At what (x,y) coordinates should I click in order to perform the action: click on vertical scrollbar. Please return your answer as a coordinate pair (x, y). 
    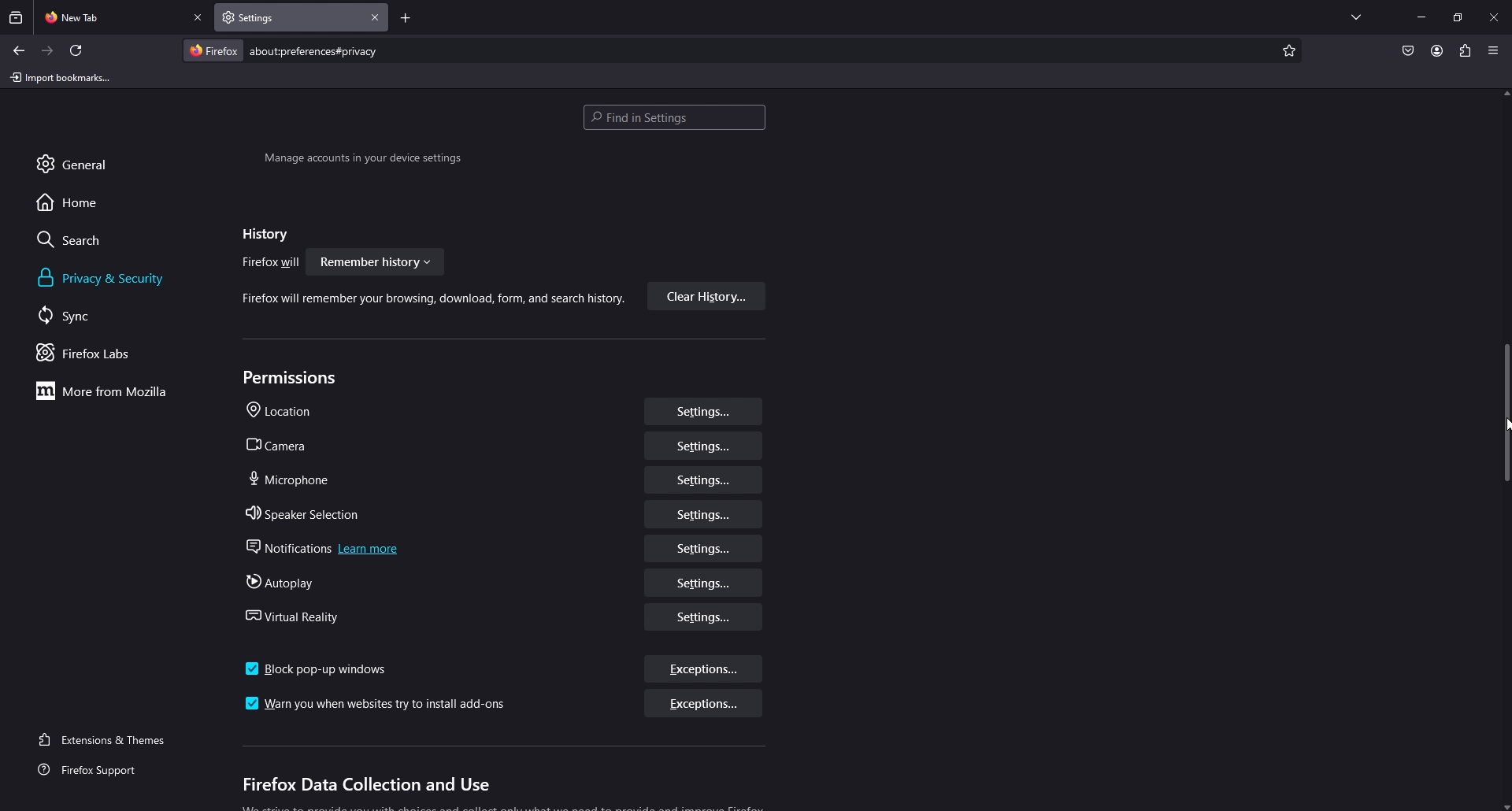
    Looking at the image, I should click on (1503, 413).